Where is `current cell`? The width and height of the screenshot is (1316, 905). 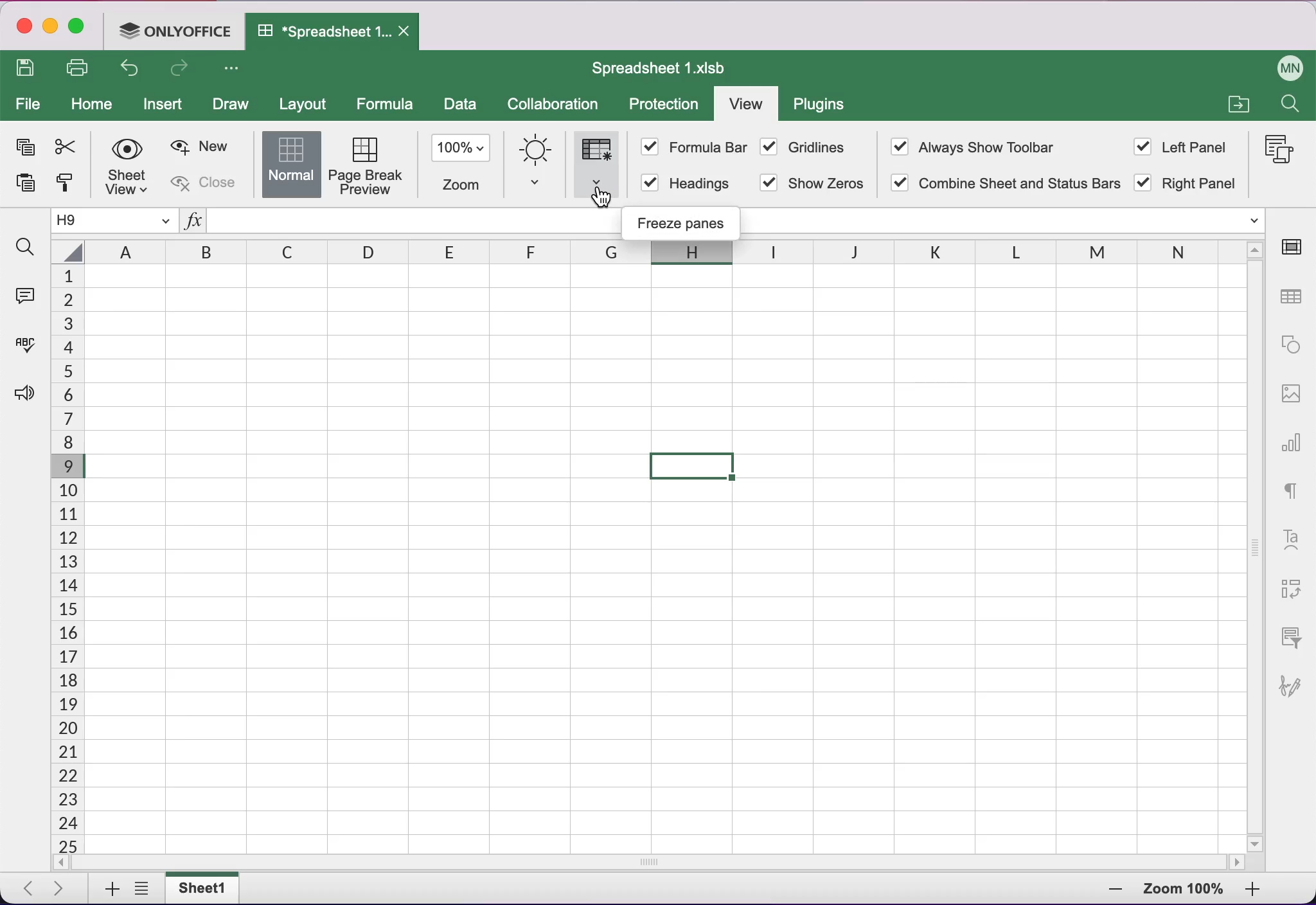 current cell is located at coordinates (117, 220).